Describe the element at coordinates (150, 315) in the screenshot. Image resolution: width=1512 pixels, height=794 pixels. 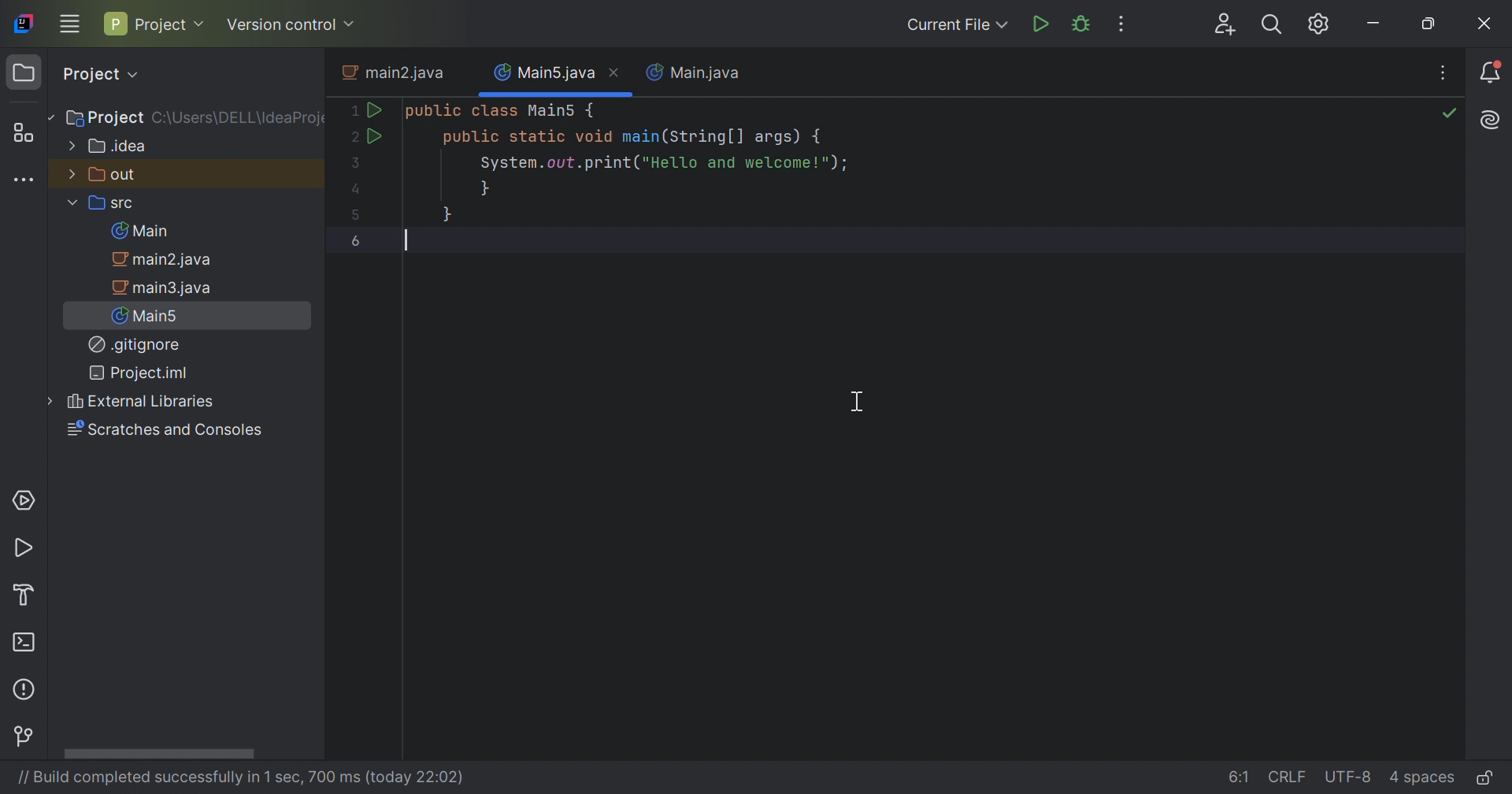
I see `Main5` at that location.